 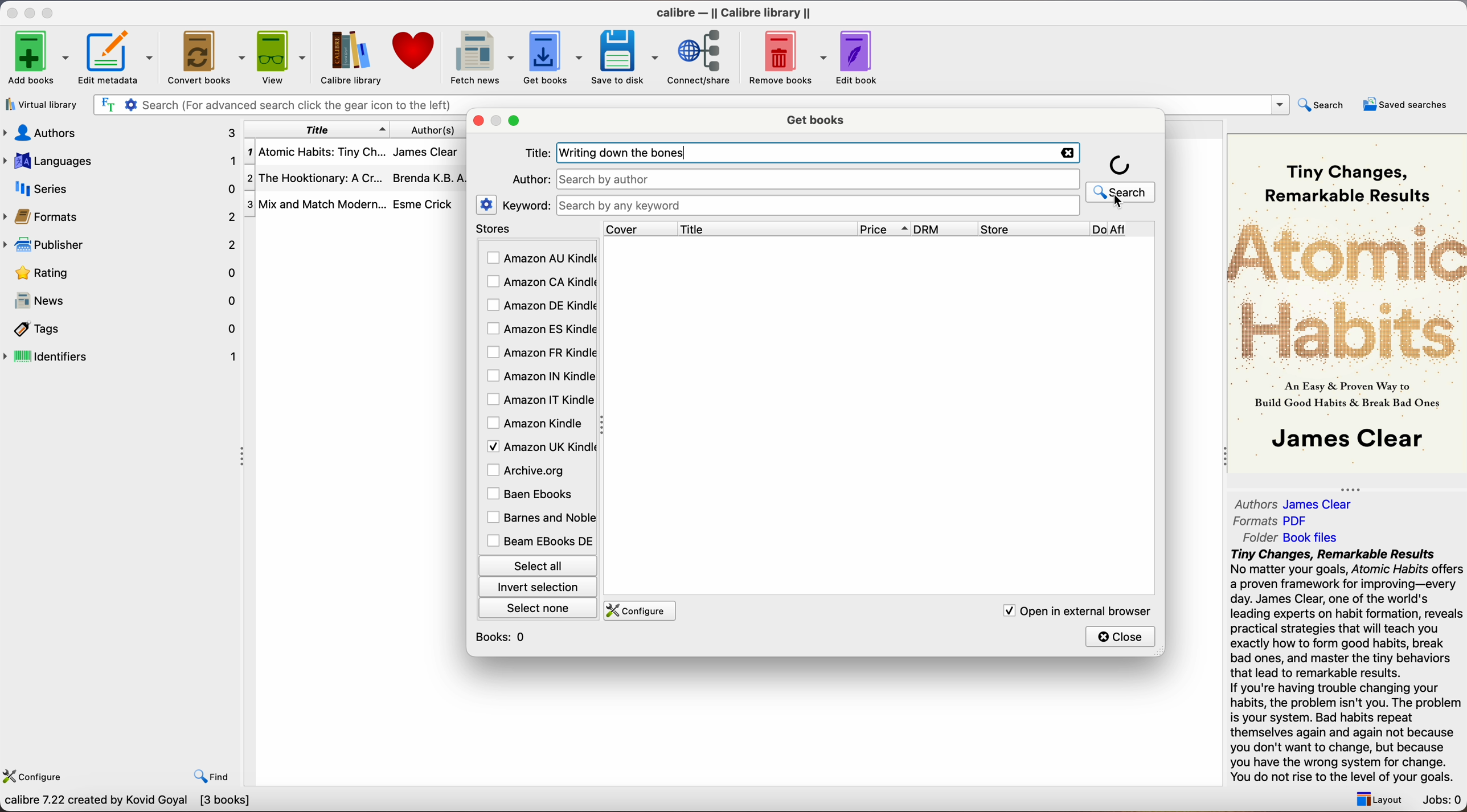 I want to click on beam ebooks DE, so click(x=539, y=541).